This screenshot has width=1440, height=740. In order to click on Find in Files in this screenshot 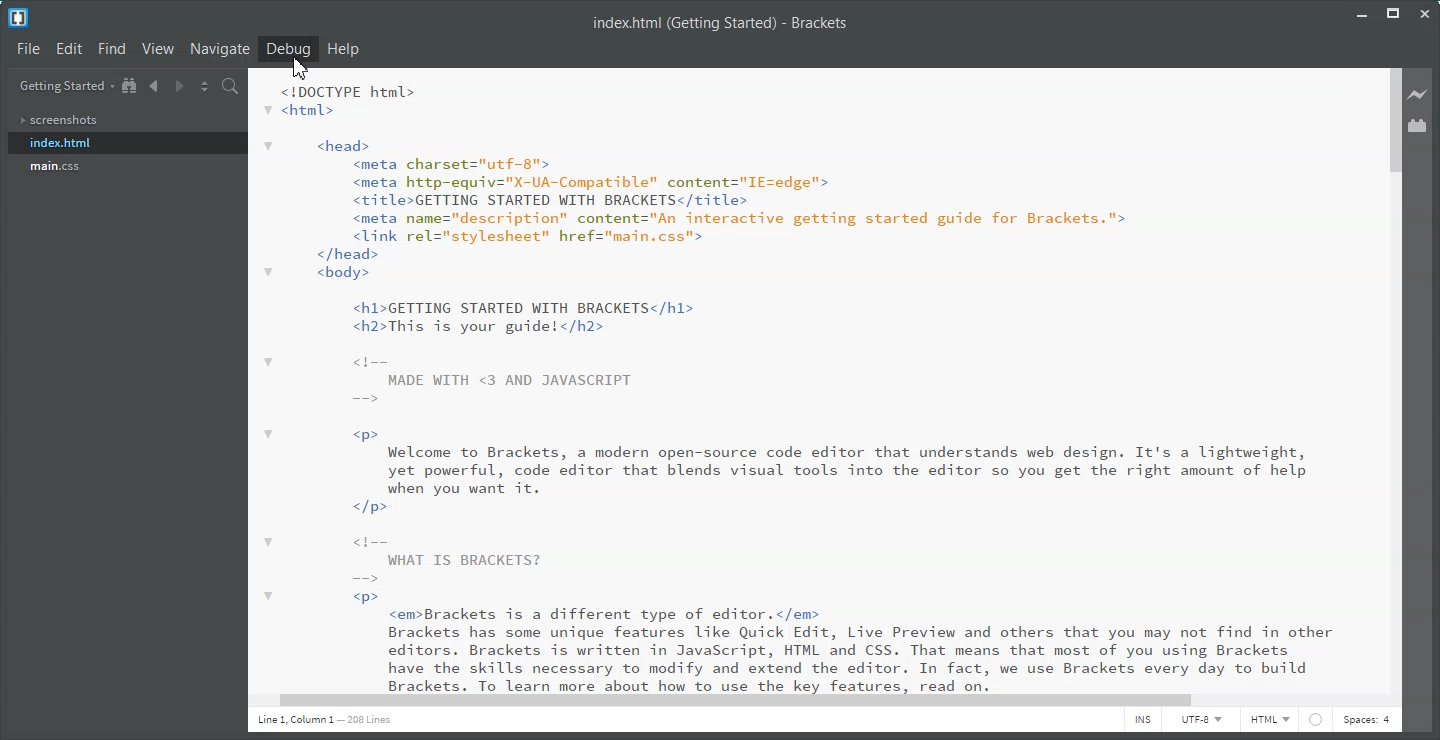, I will do `click(230, 86)`.